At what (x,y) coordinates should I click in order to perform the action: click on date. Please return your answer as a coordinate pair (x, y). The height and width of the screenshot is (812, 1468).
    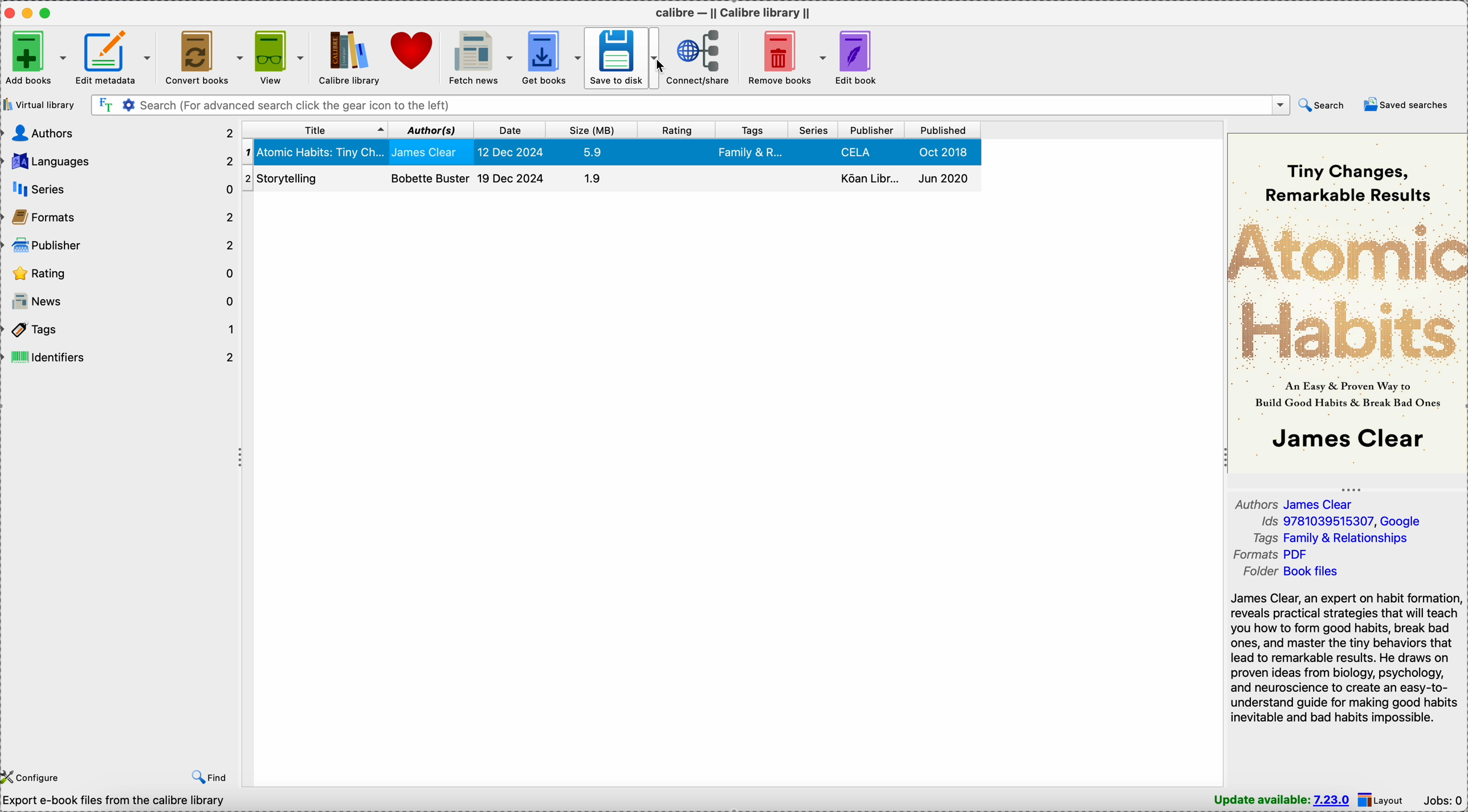
    Looking at the image, I should click on (511, 130).